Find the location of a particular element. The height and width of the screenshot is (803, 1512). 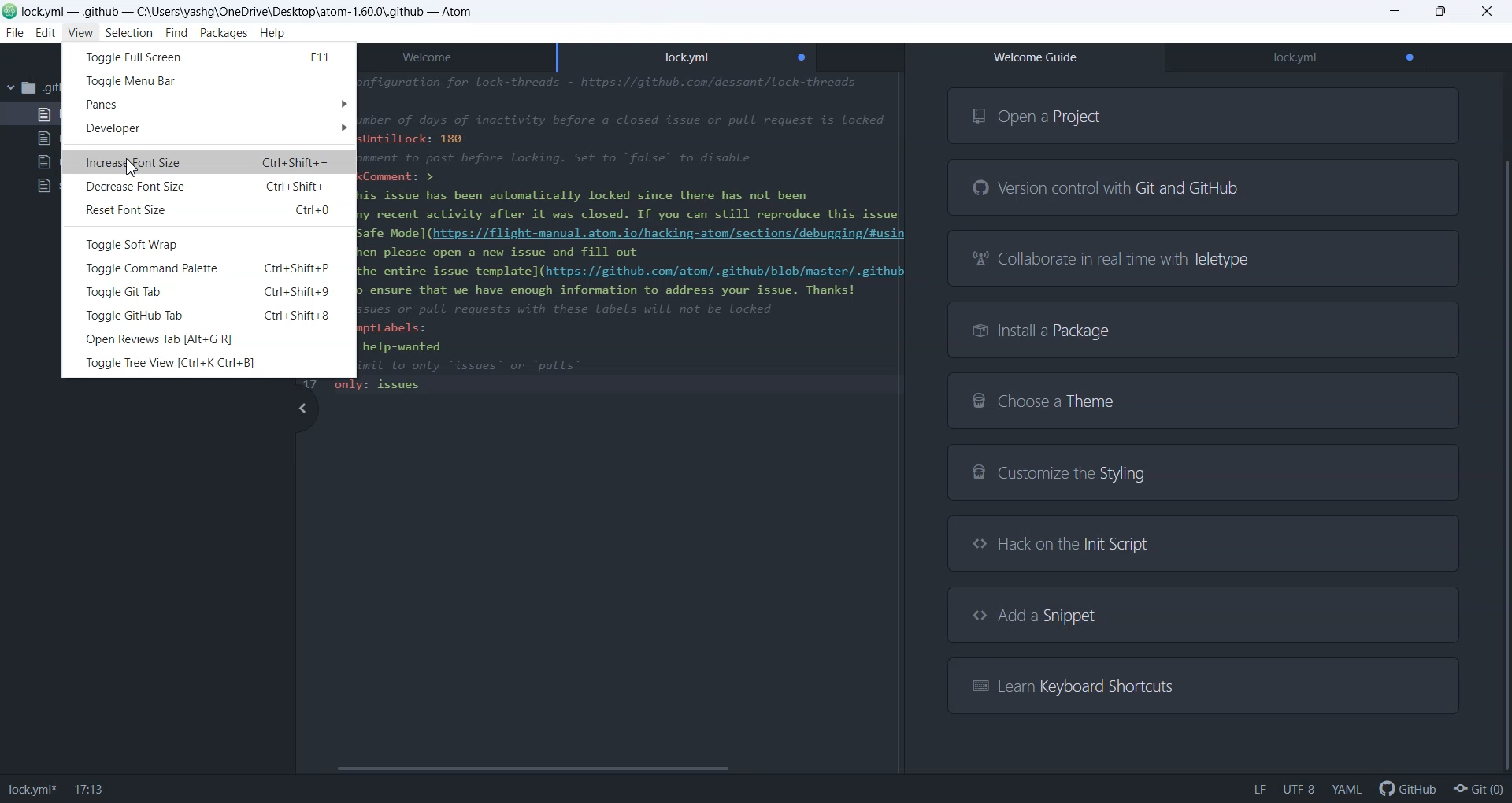

Customize the Styling is located at coordinates (1203, 475).